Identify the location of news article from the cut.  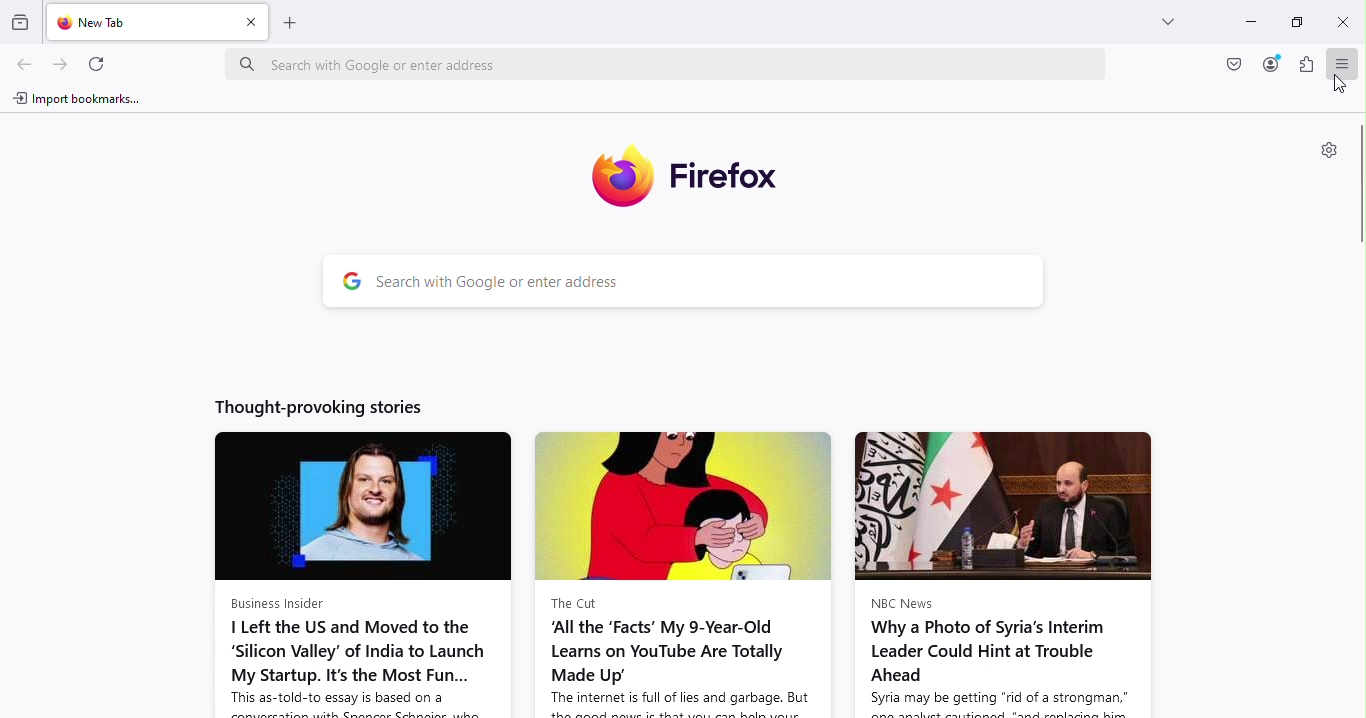
(683, 575).